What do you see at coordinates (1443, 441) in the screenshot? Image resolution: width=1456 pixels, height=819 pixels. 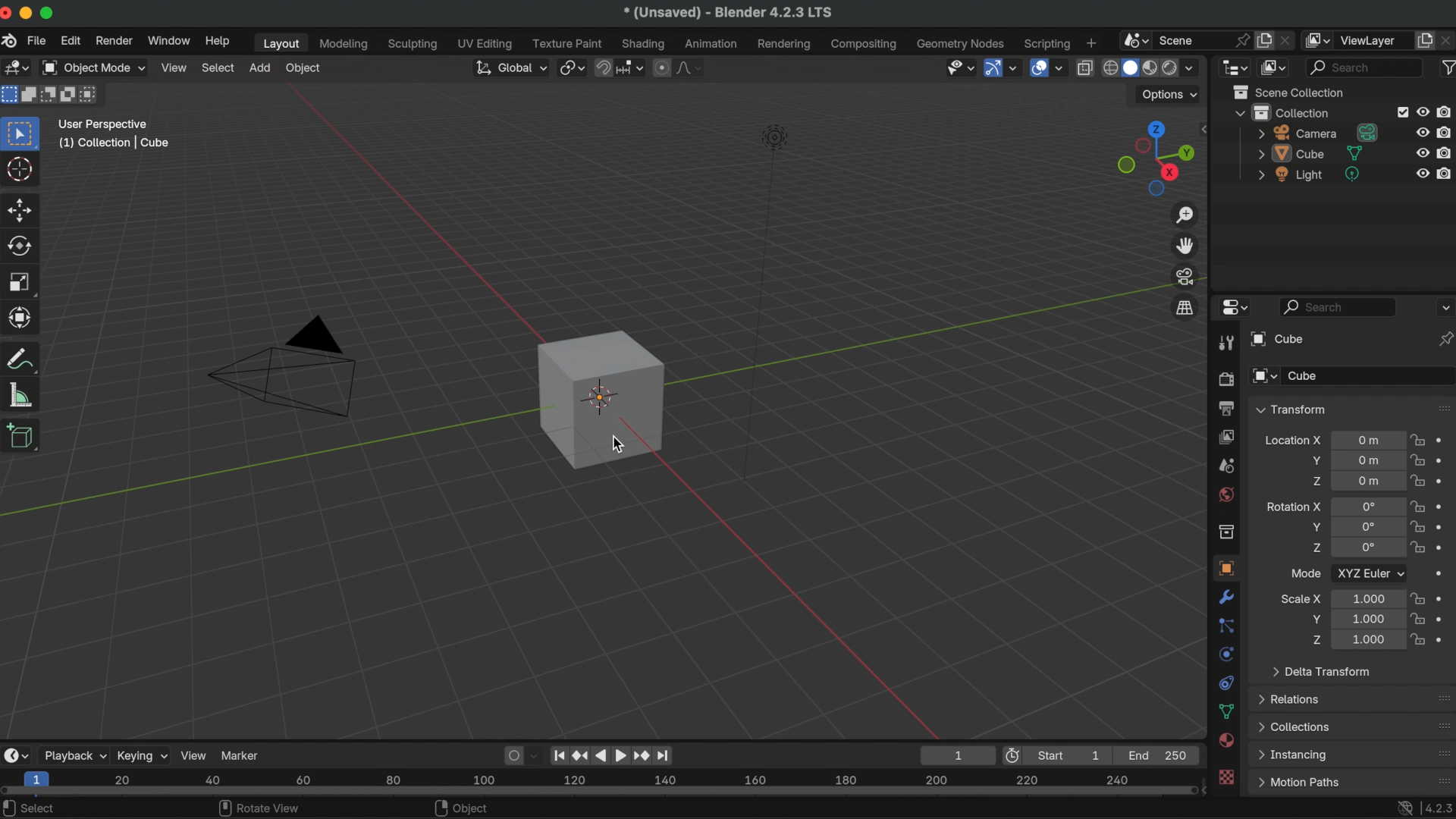 I see `animate property` at bounding box center [1443, 441].